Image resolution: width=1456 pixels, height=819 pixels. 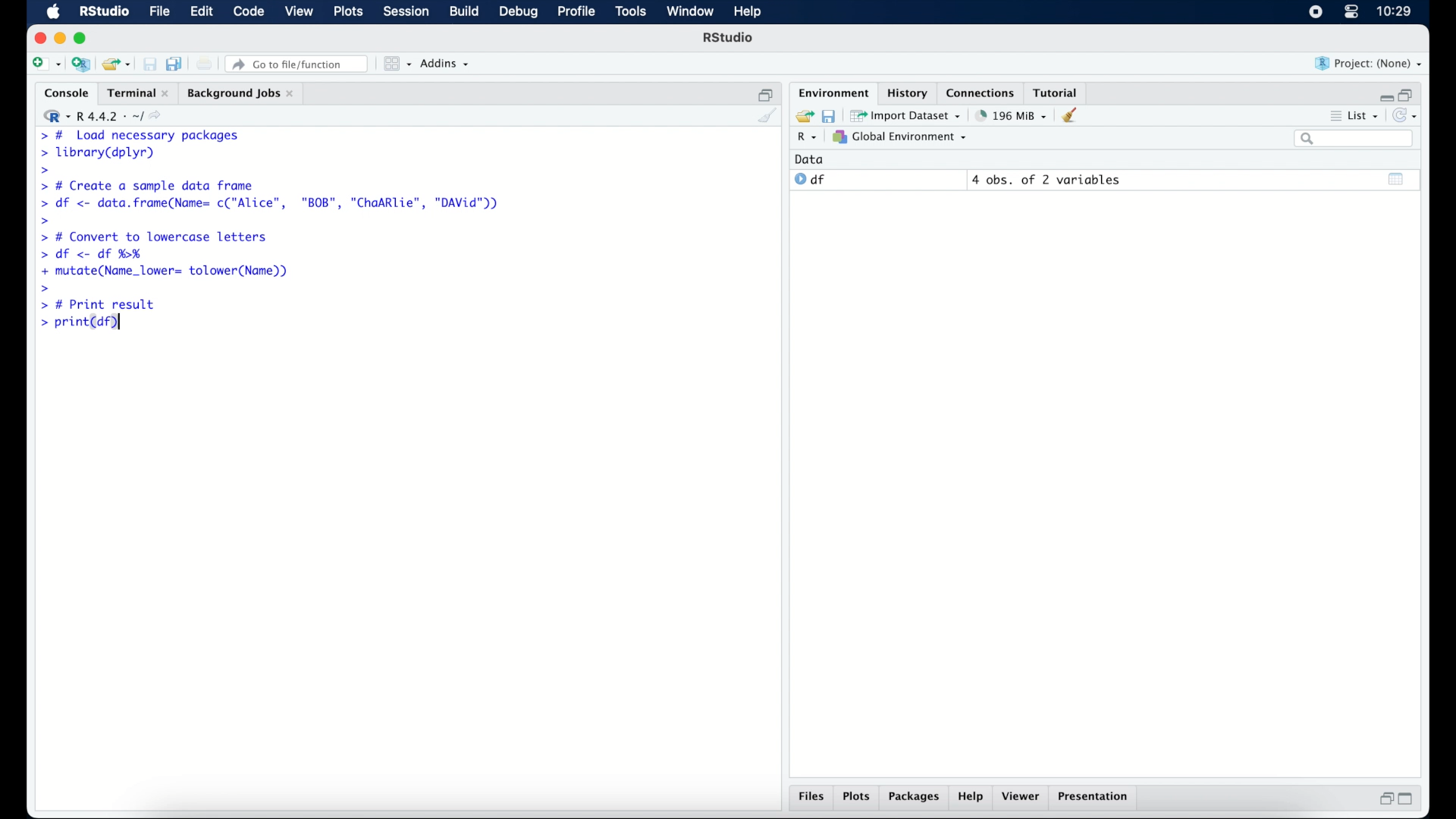 What do you see at coordinates (1314, 12) in the screenshot?
I see `screen recorder icon` at bounding box center [1314, 12].